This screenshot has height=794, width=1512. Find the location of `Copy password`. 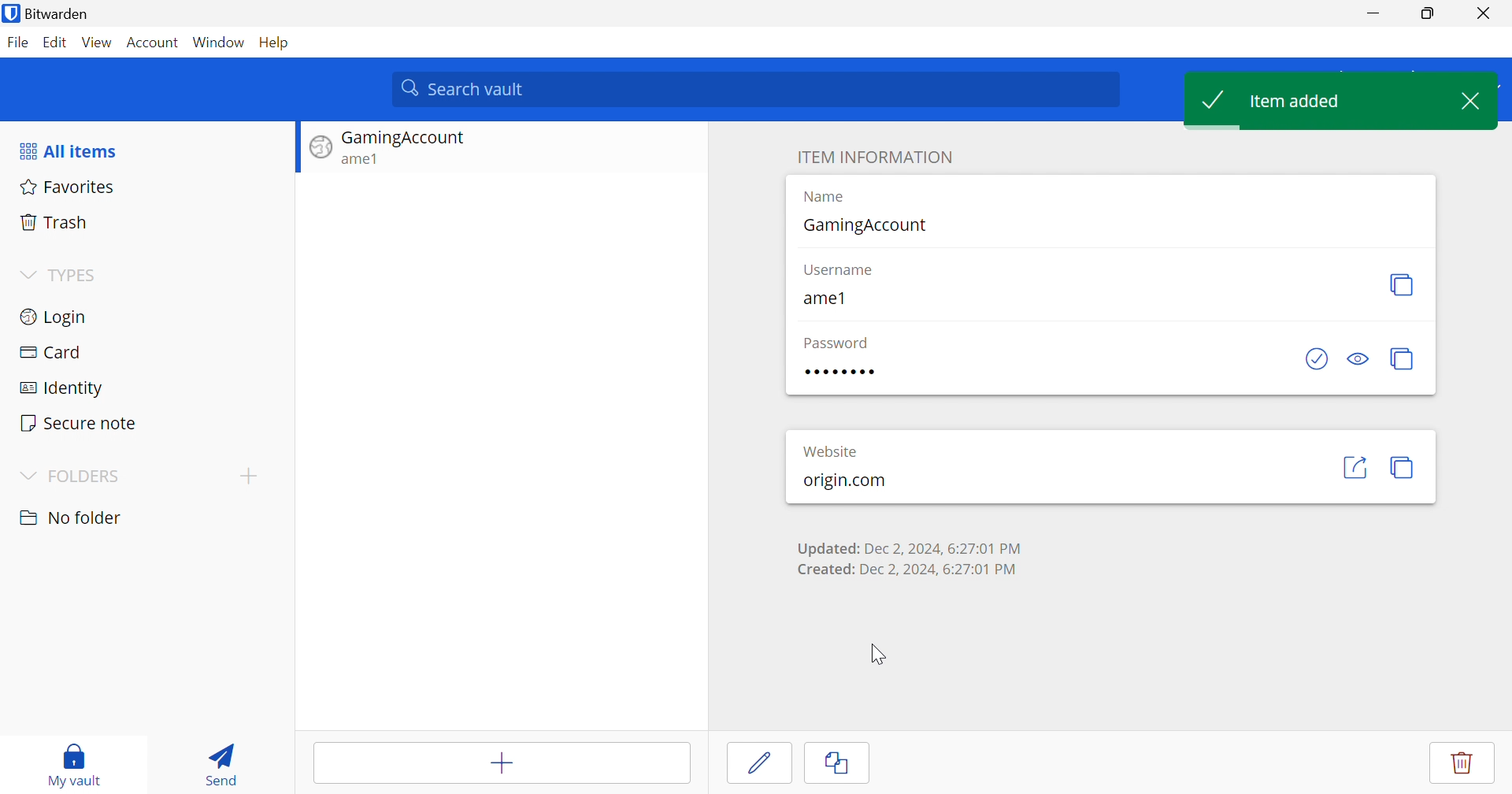

Copy password is located at coordinates (1406, 359).